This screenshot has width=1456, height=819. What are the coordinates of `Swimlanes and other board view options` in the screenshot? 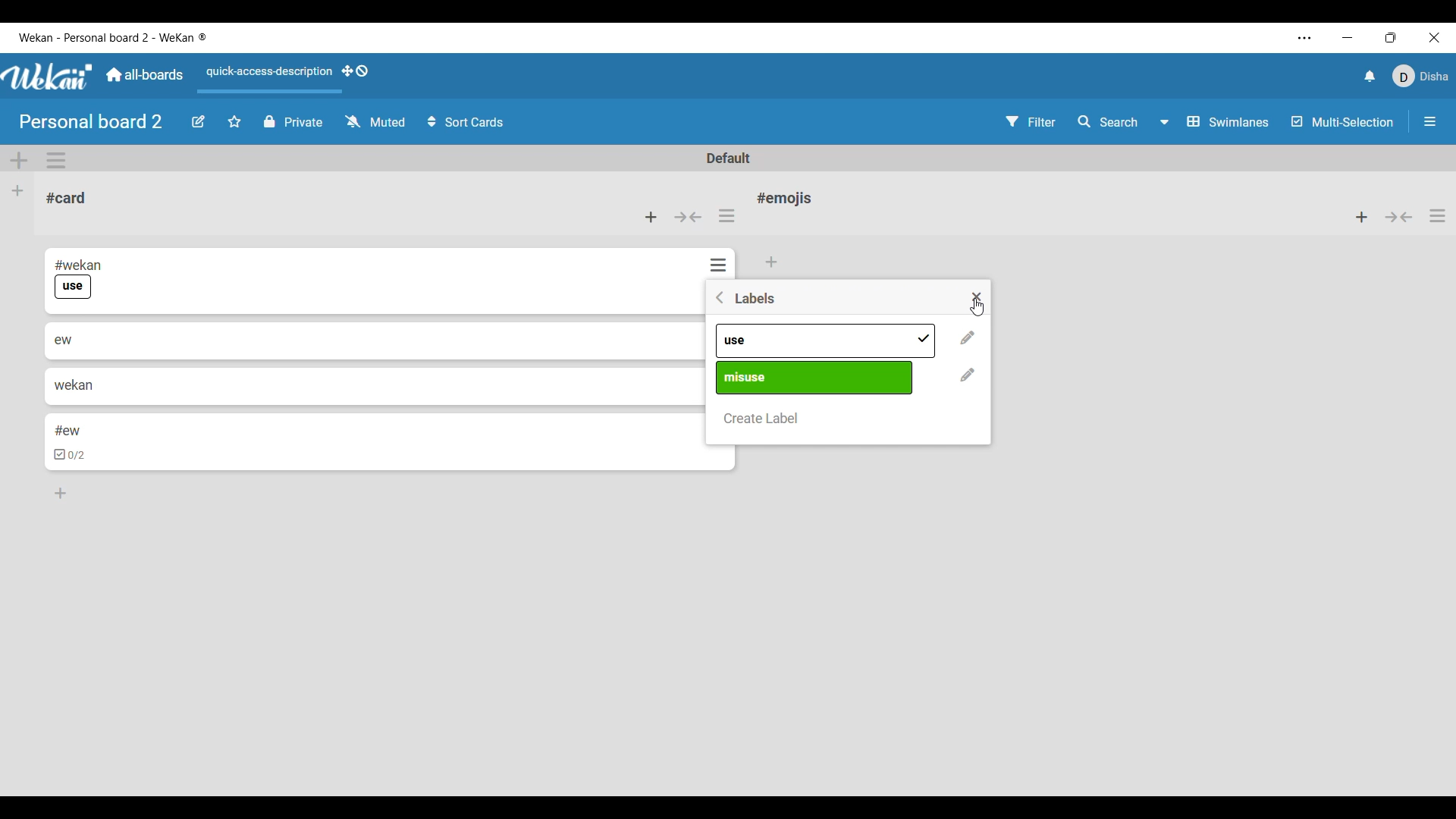 It's located at (1213, 121).